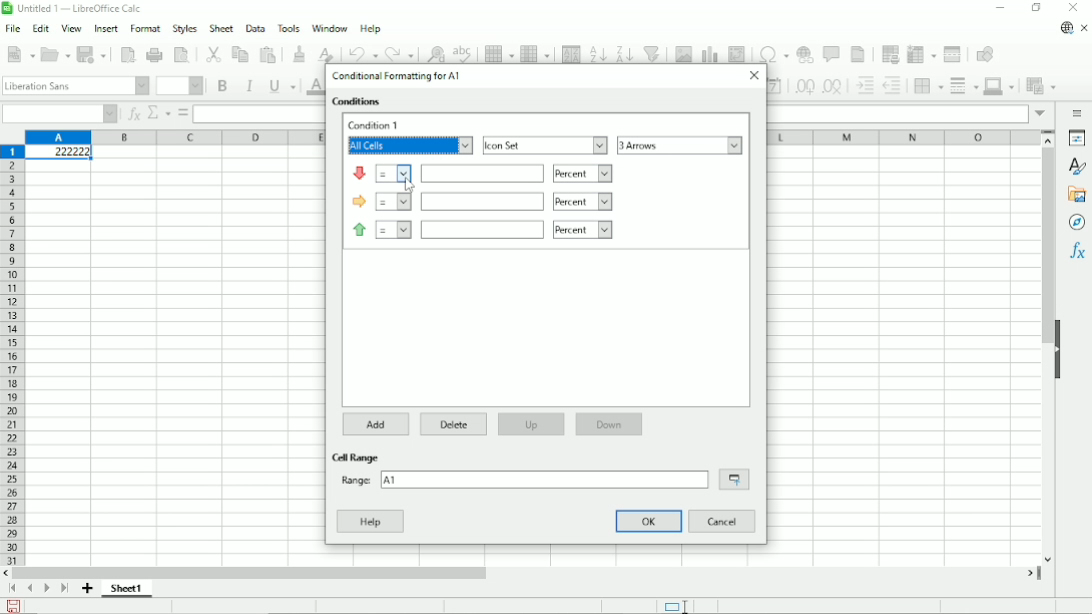  I want to click on Print, so click(156, 55).